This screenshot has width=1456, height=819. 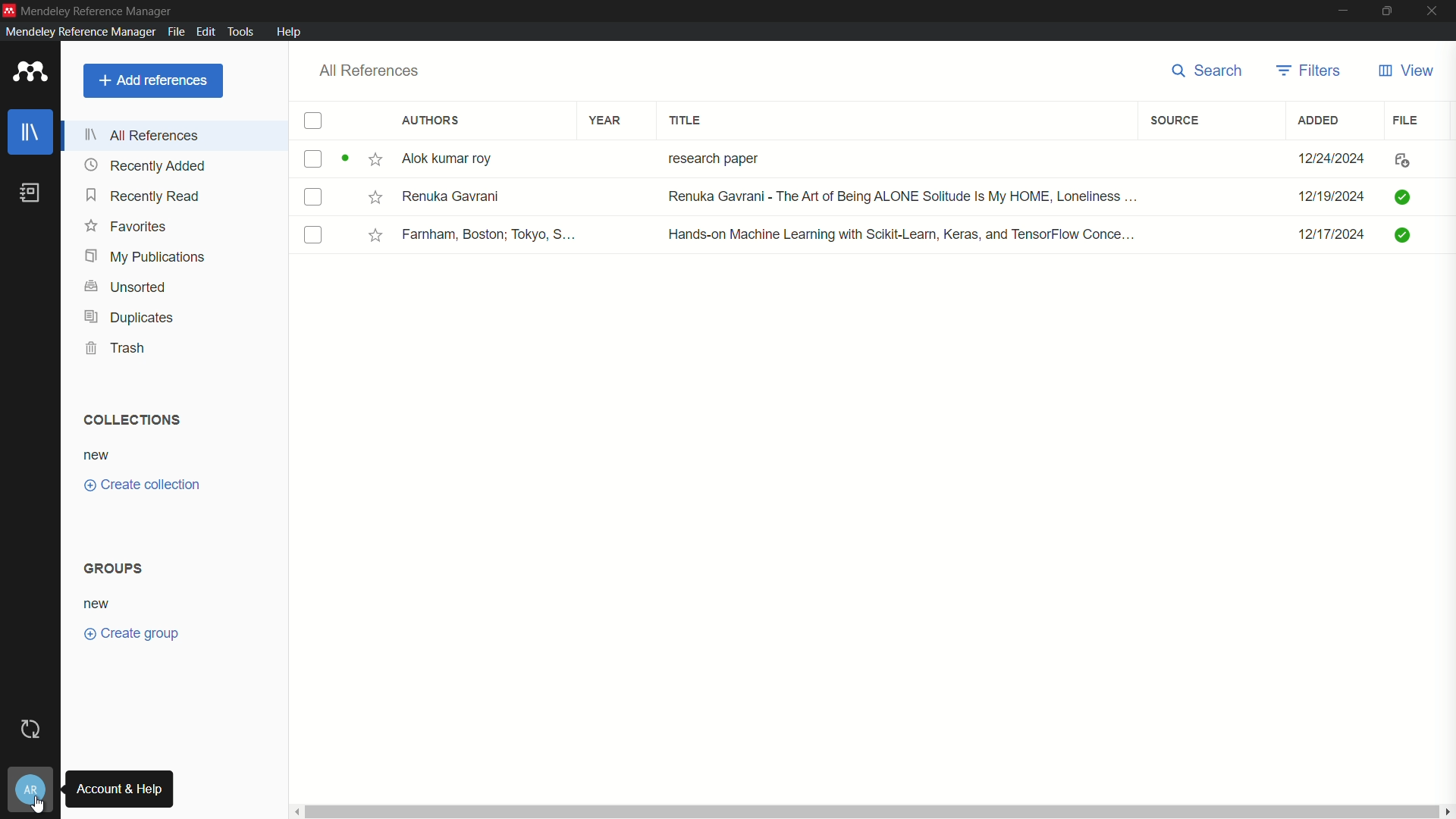 I want to click on mendeley reference manager, so click(x=78, y=31).